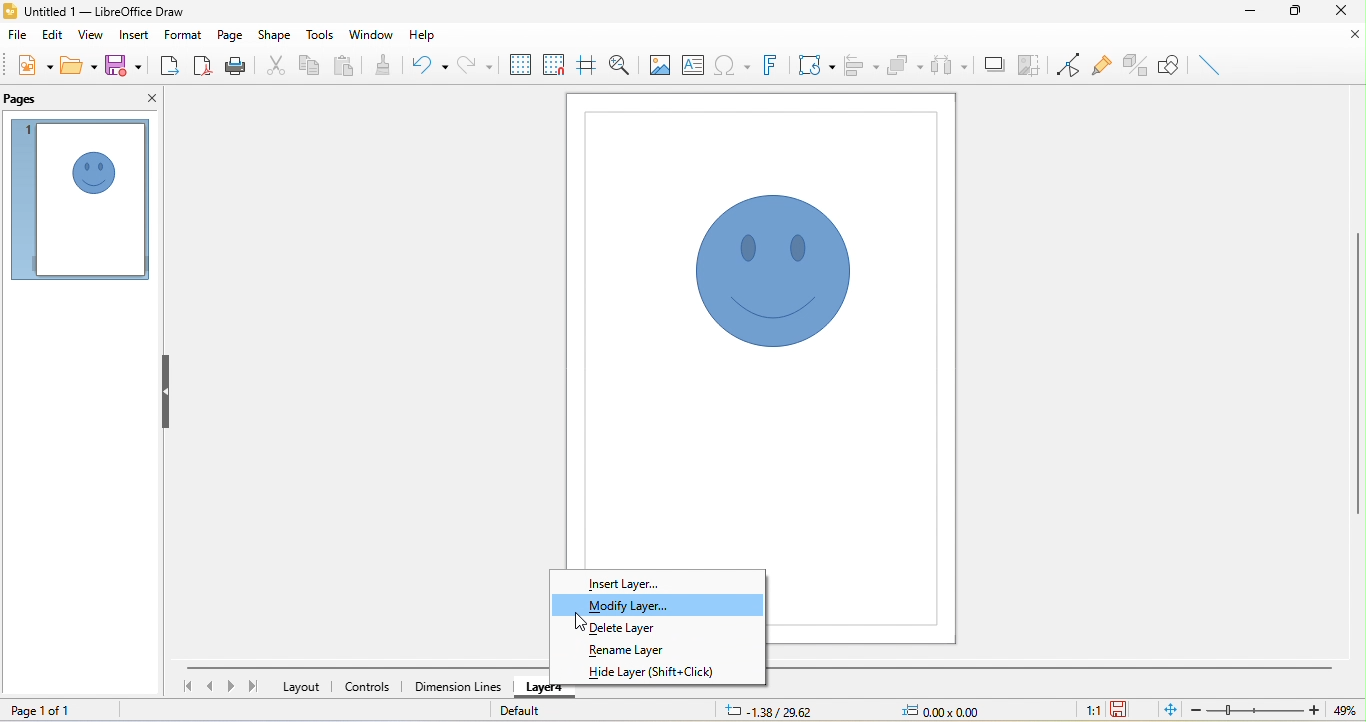 Image resolution: width=1366 pixels, height=722 pixels. I want to click on cut, so click(274, 64).